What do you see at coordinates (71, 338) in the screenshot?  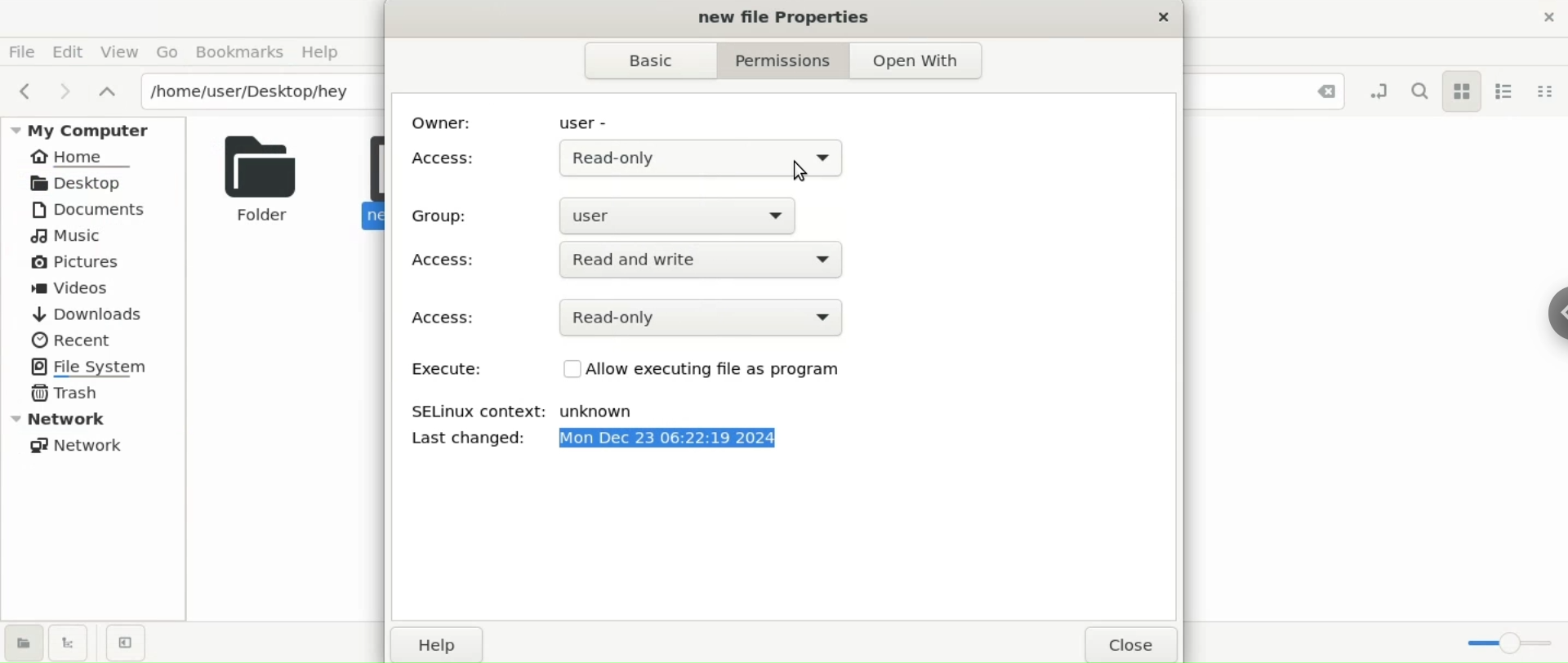 I see `Recent` at bounding box center [71, 338].